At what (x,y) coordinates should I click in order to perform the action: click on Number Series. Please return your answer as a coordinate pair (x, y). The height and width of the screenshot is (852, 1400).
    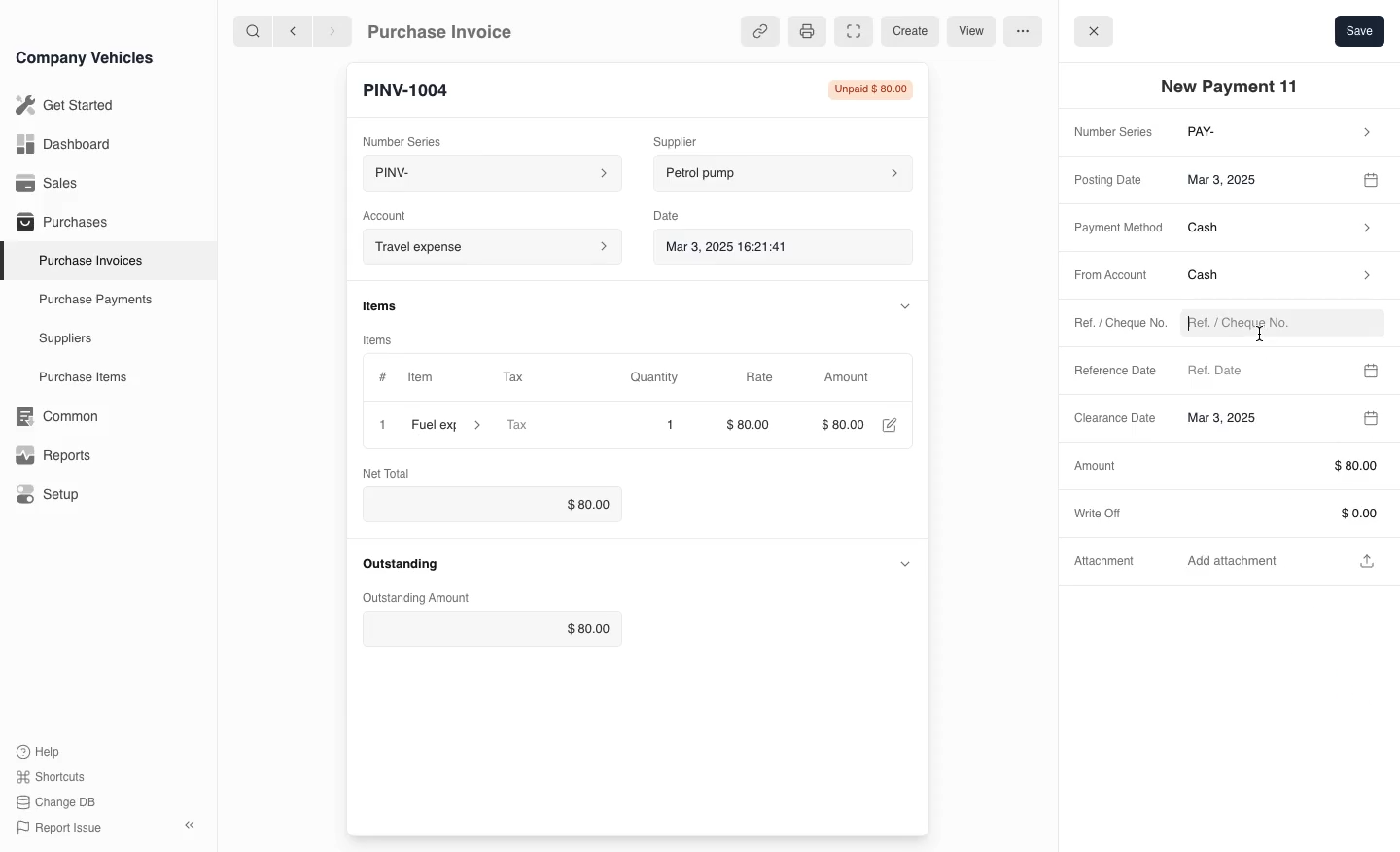
    Looking at the image, I should click on (406, 137).